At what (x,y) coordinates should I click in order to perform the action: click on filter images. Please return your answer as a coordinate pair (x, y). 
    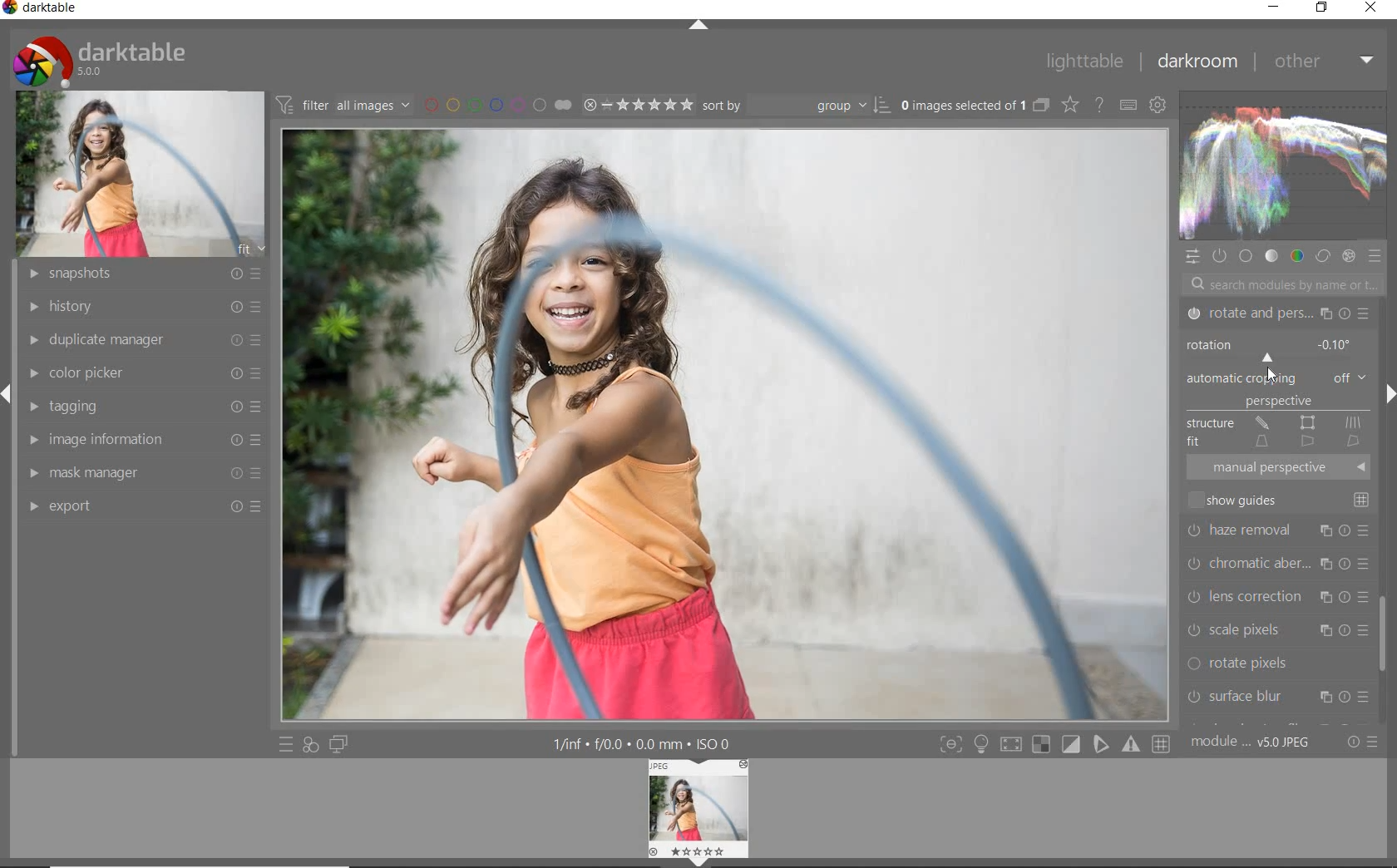
    Looking at the image, I should click on (343, 104).